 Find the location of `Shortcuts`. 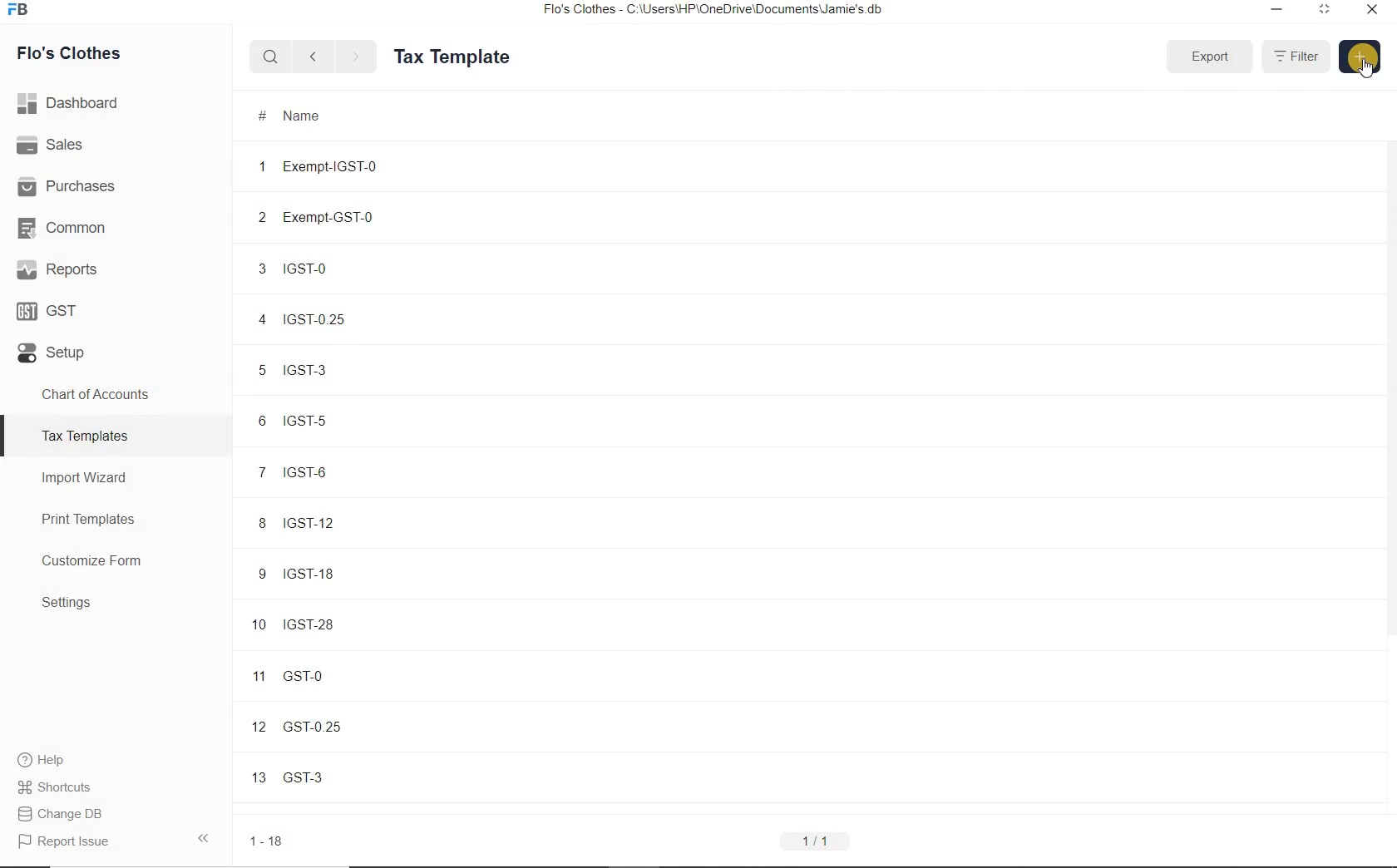

Shortcuts is located at coordinates (116, 787).